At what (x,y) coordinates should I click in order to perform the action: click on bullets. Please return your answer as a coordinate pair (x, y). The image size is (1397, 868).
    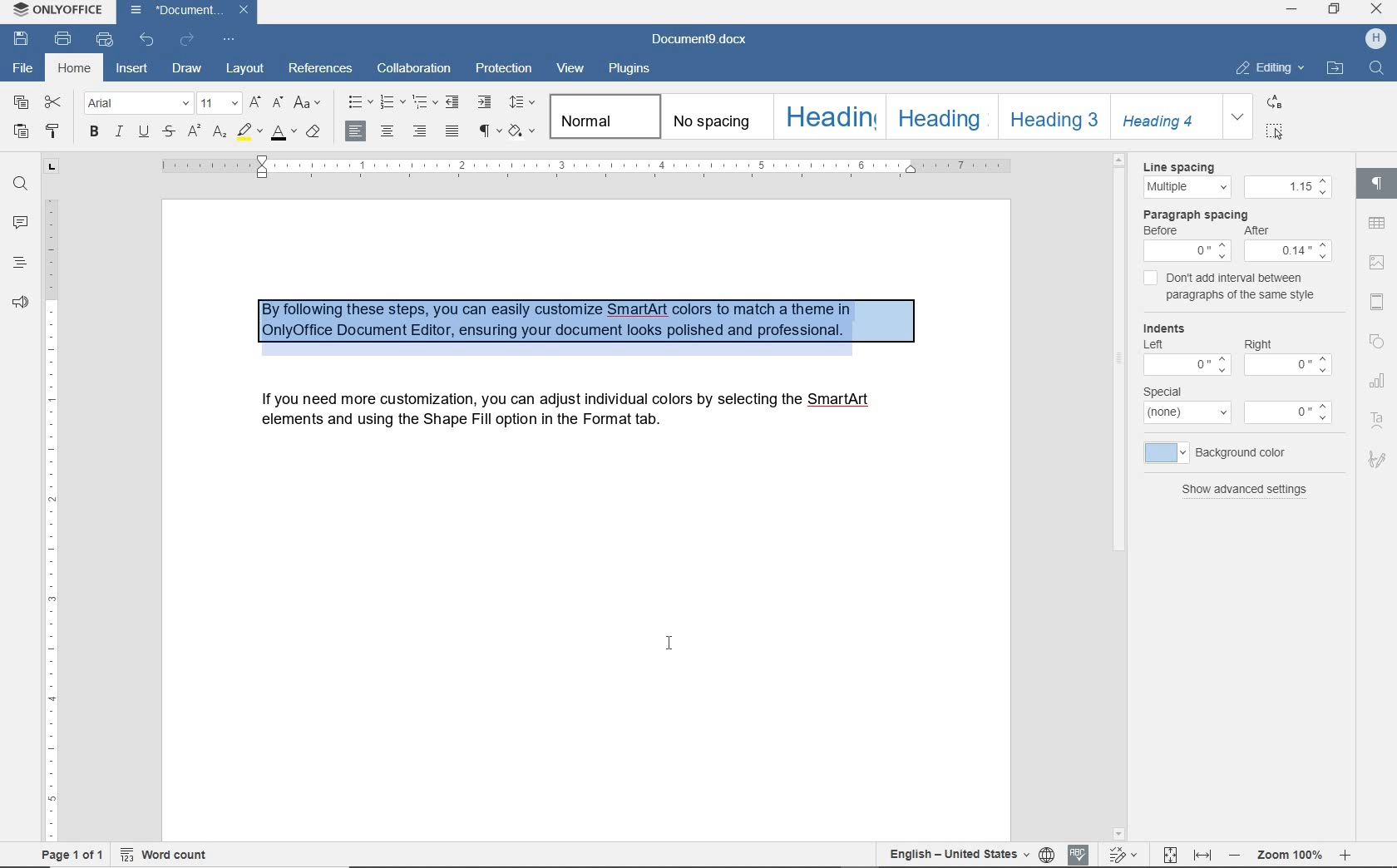
    Looking at the image, I should click on (358, 101).